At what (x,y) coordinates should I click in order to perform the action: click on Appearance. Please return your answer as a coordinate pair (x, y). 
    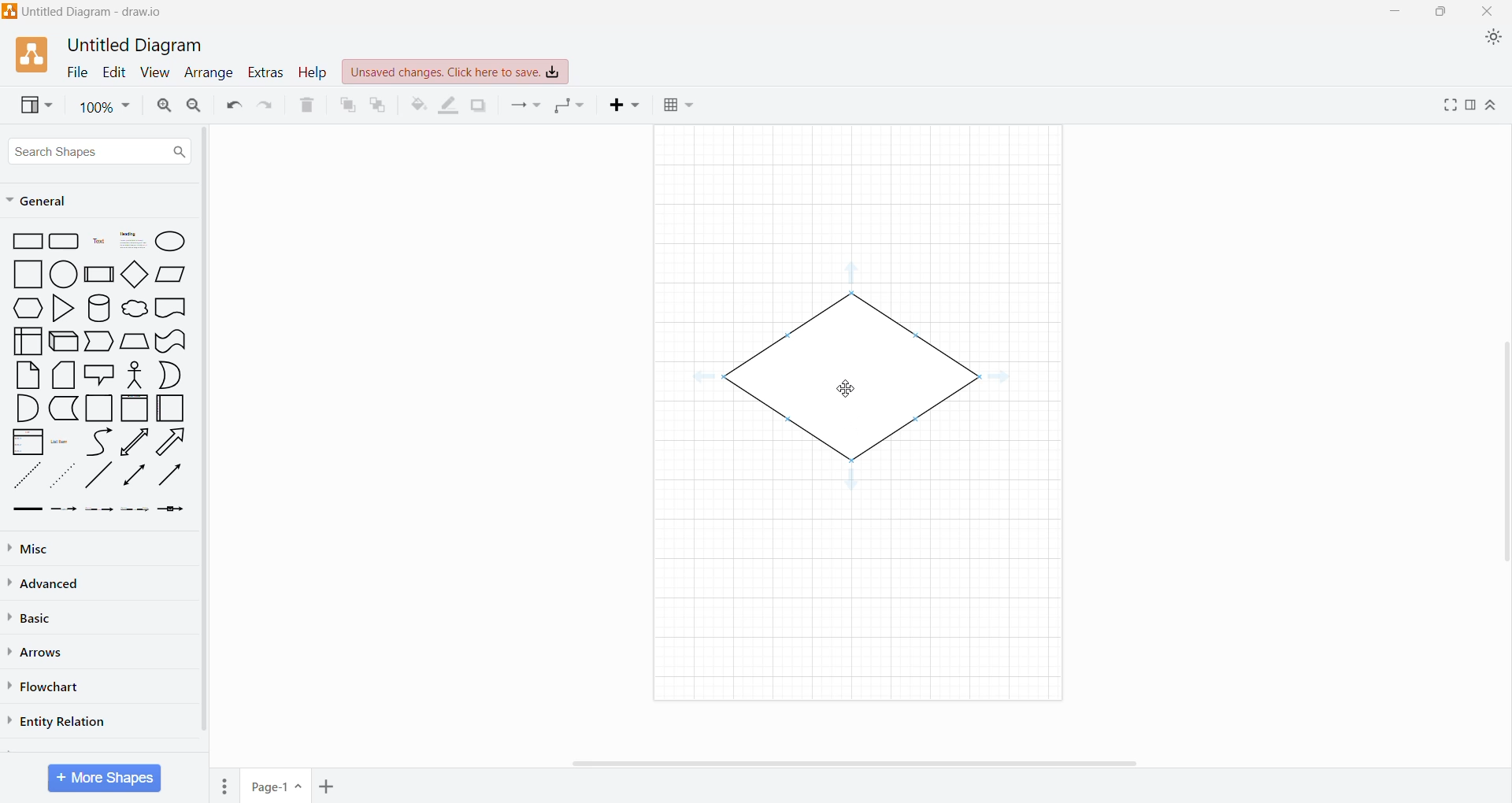
    Looking at the image, I should click on (1493, 37).